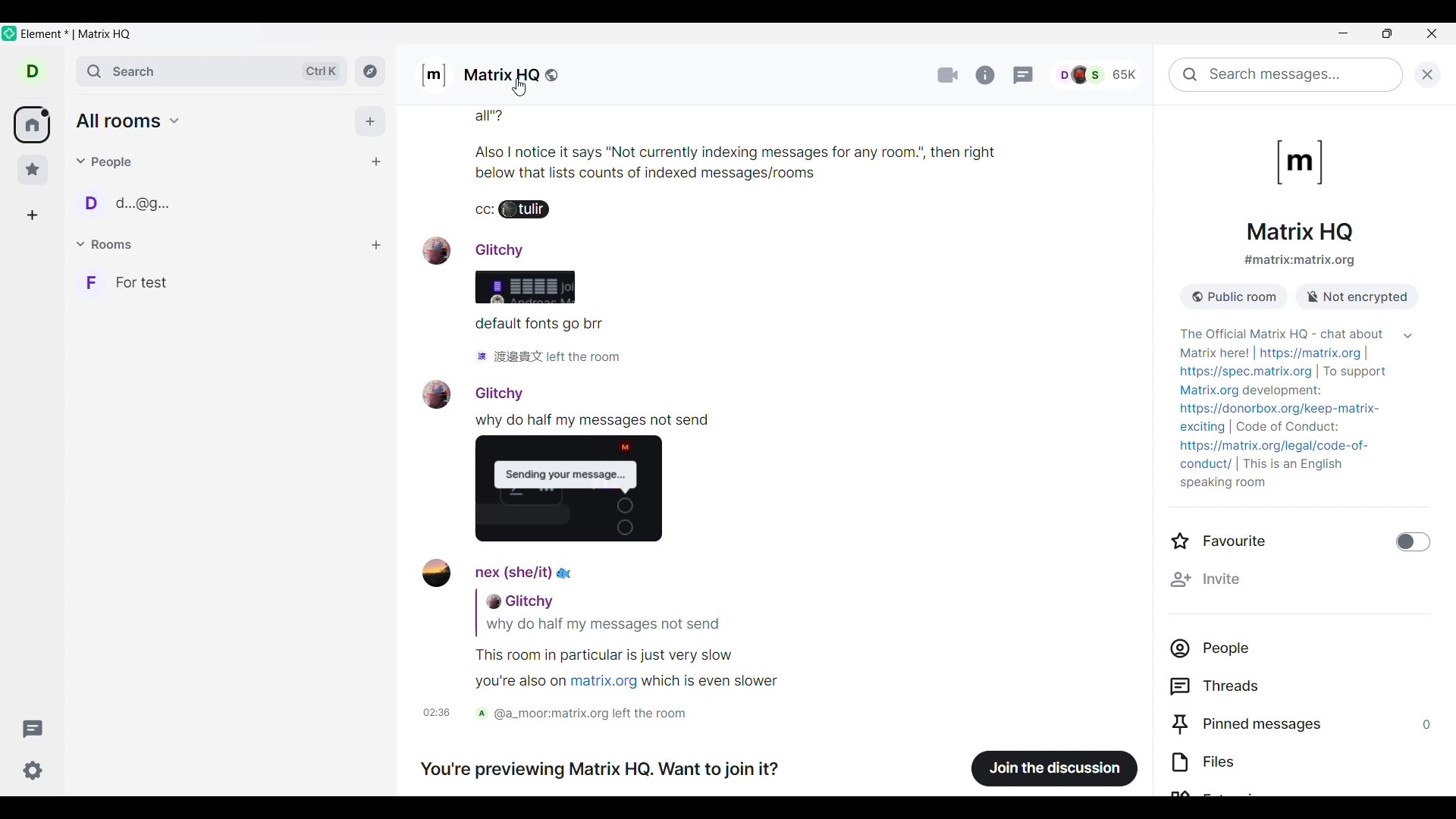 The width and height of the screenshot is (1456, 819). Describe the element at coordinates (610, 642) in the screenshot. I see `Glitchy, why do half my messages not send, this room in particular is just very slow you're also on matrix.org which is even slower` at that location.